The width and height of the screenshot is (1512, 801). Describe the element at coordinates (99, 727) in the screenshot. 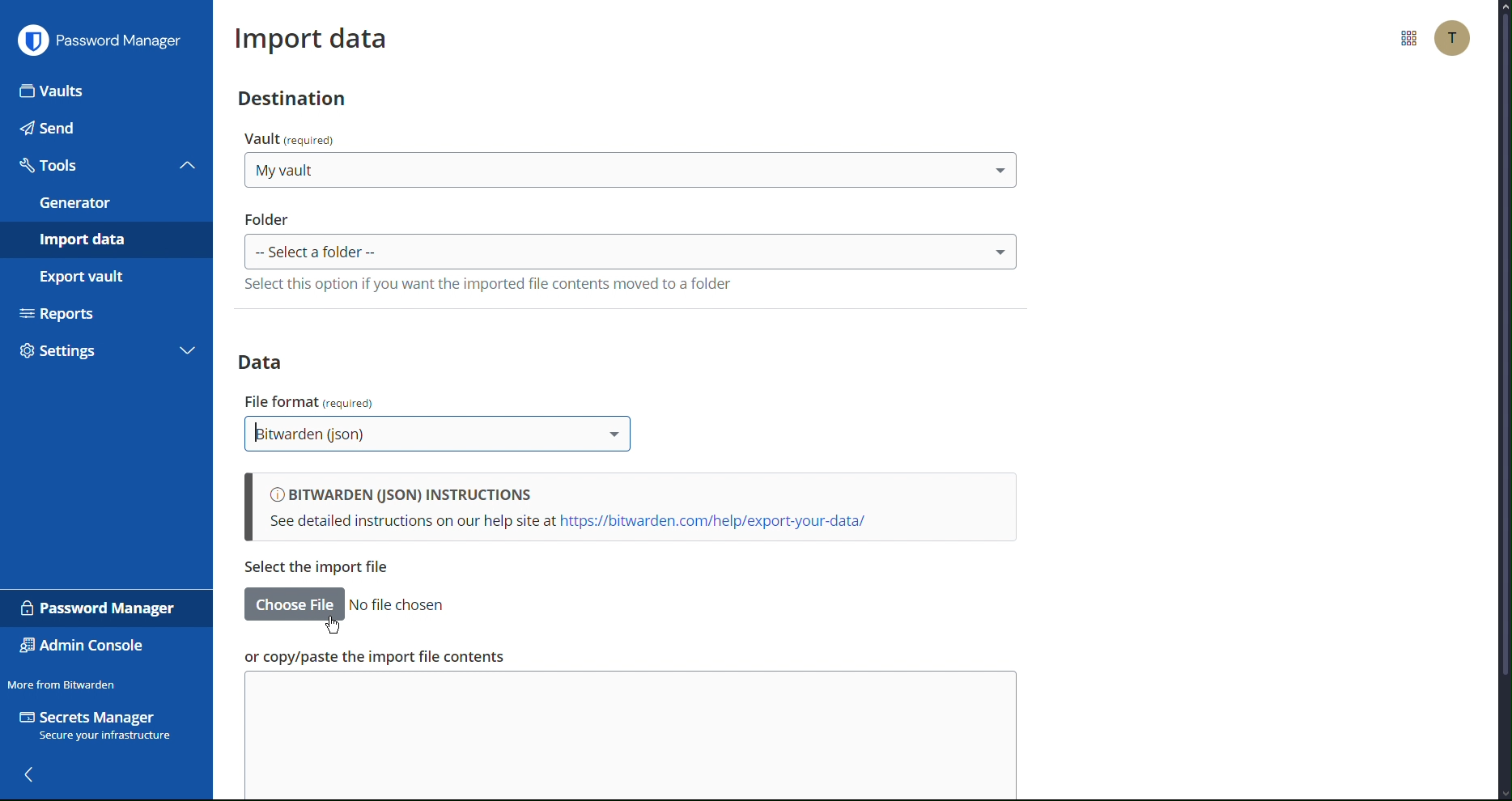

I see `Secrets Manager` at that location.